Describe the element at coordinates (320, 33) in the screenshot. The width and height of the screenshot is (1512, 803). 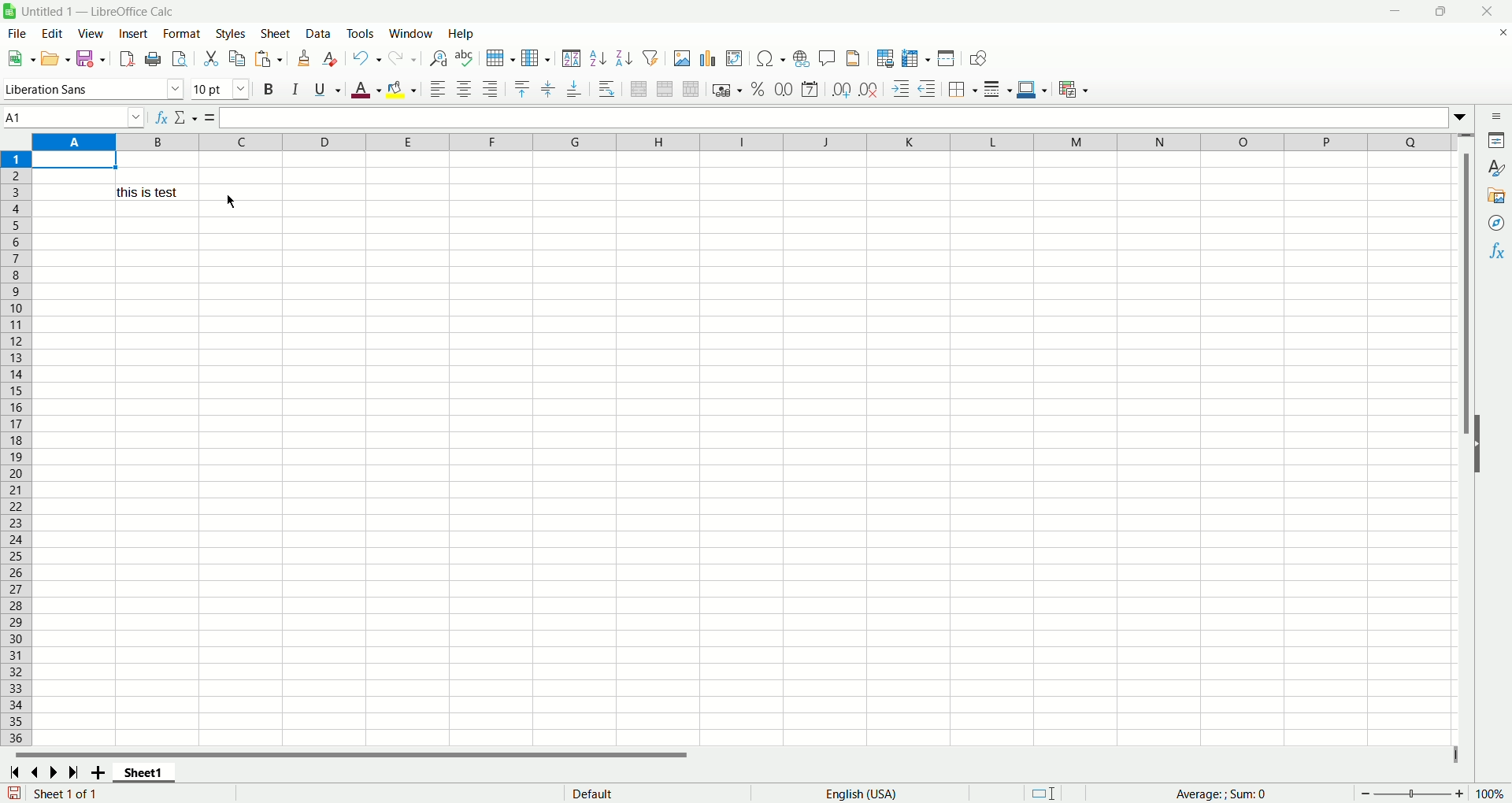
I see `data` at that location.